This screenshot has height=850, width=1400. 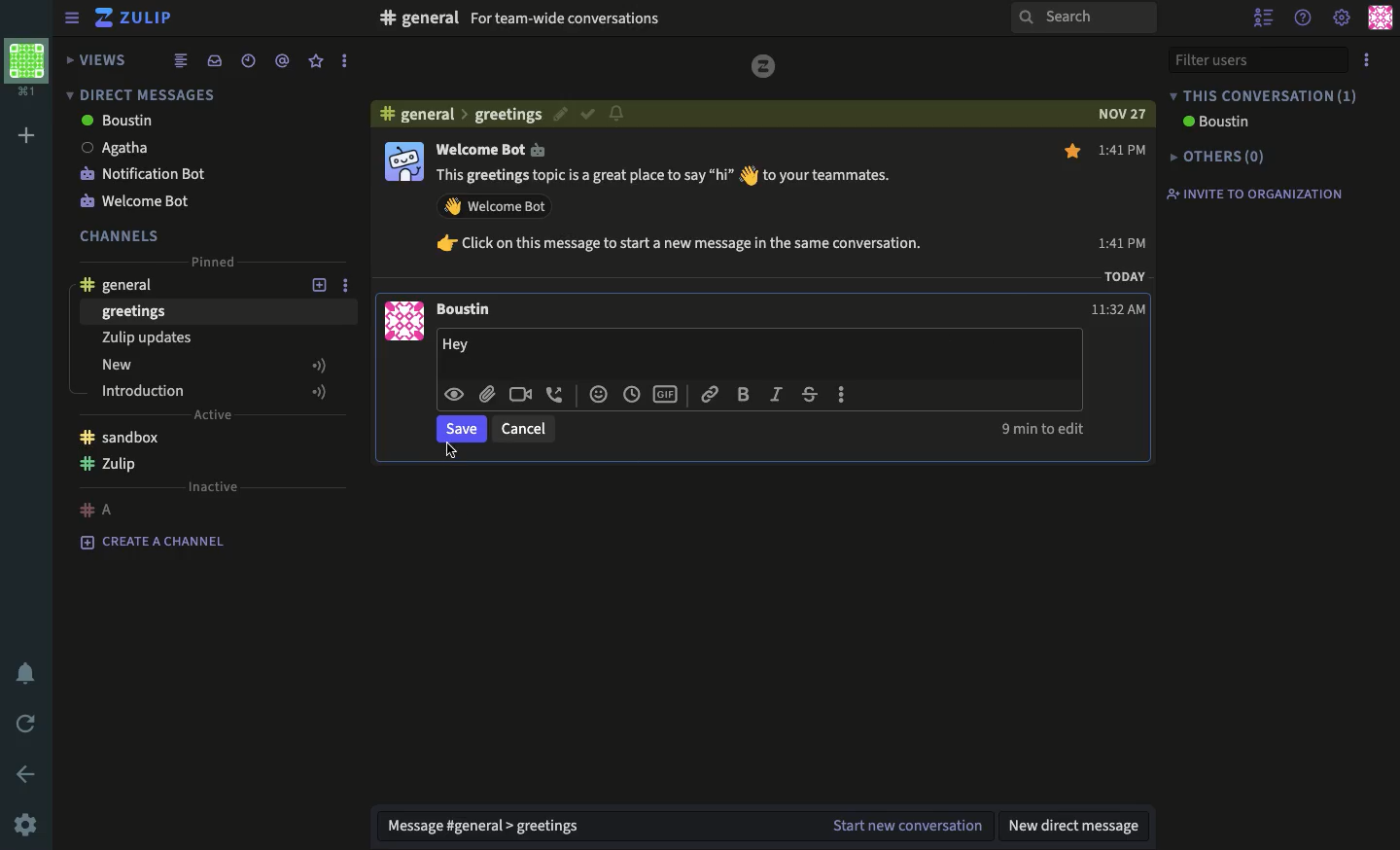 I want to click on strikethrough , so click(x=809, y=396).